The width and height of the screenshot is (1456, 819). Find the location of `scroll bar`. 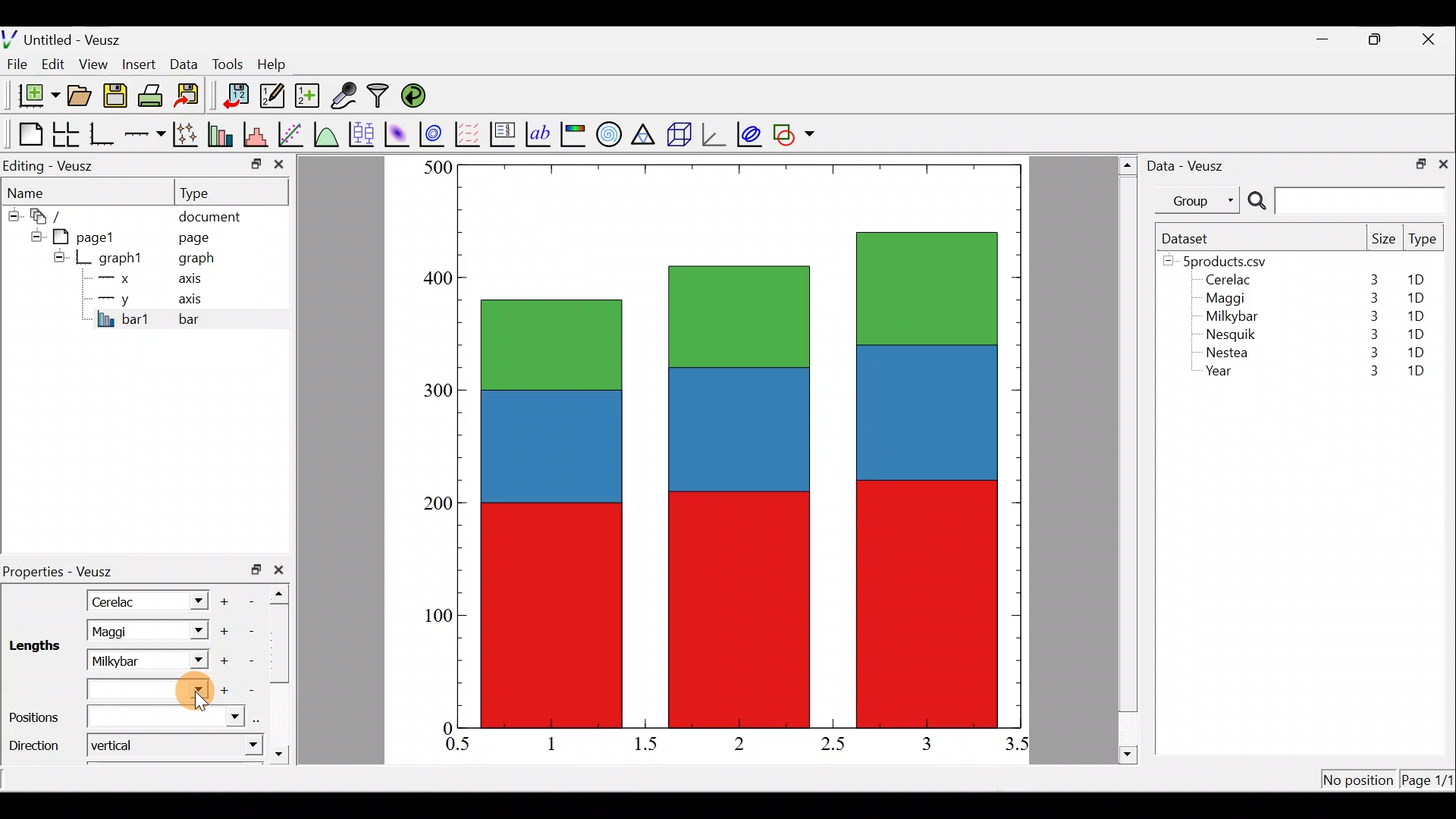

scroll bar is located at coordinates (284, 670).